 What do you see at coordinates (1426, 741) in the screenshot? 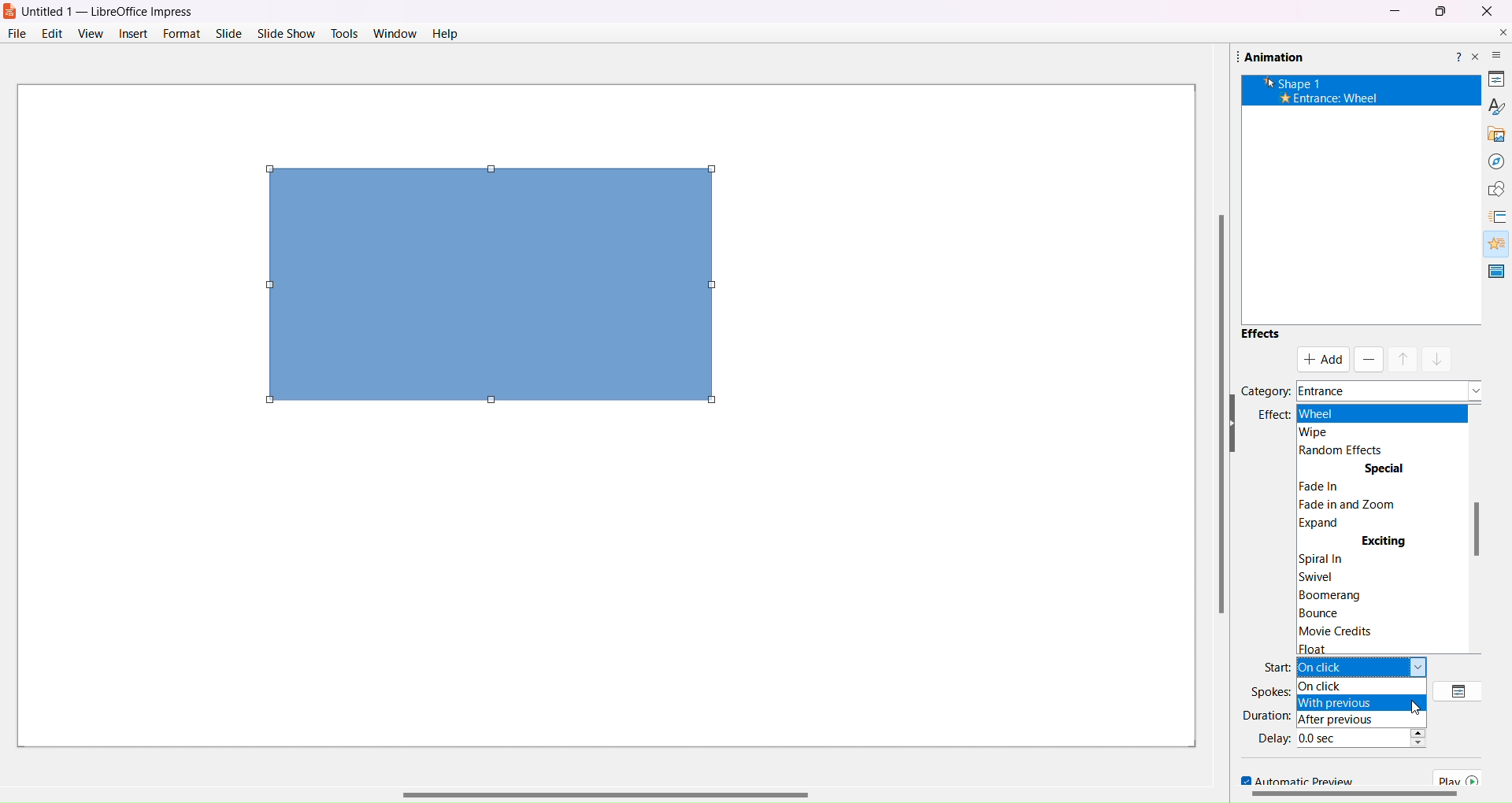
I see `Time Increase/Decrease` at bounding box center [1426, 741].